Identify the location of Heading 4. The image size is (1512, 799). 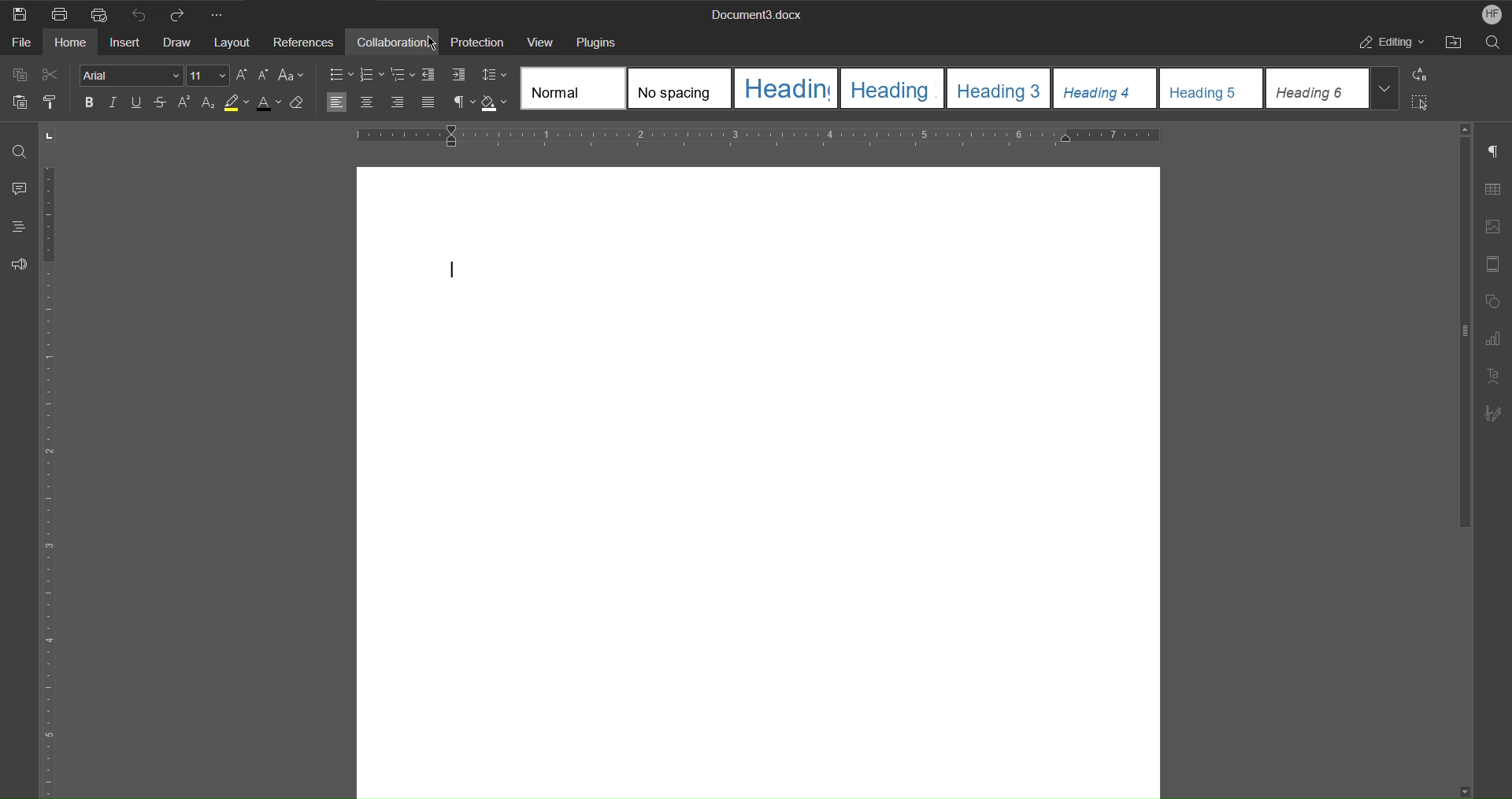
(1106, 90).